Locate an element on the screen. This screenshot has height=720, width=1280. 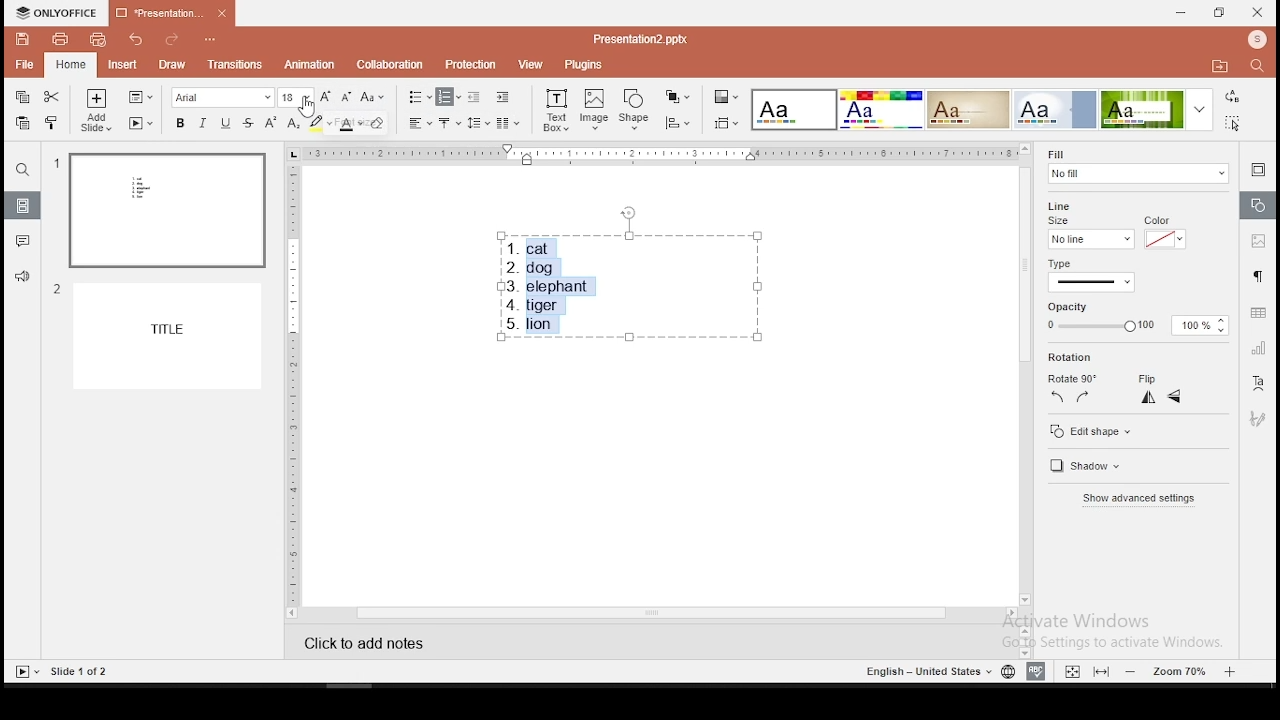
rotate 90 is located at coordinates (1074, 380).